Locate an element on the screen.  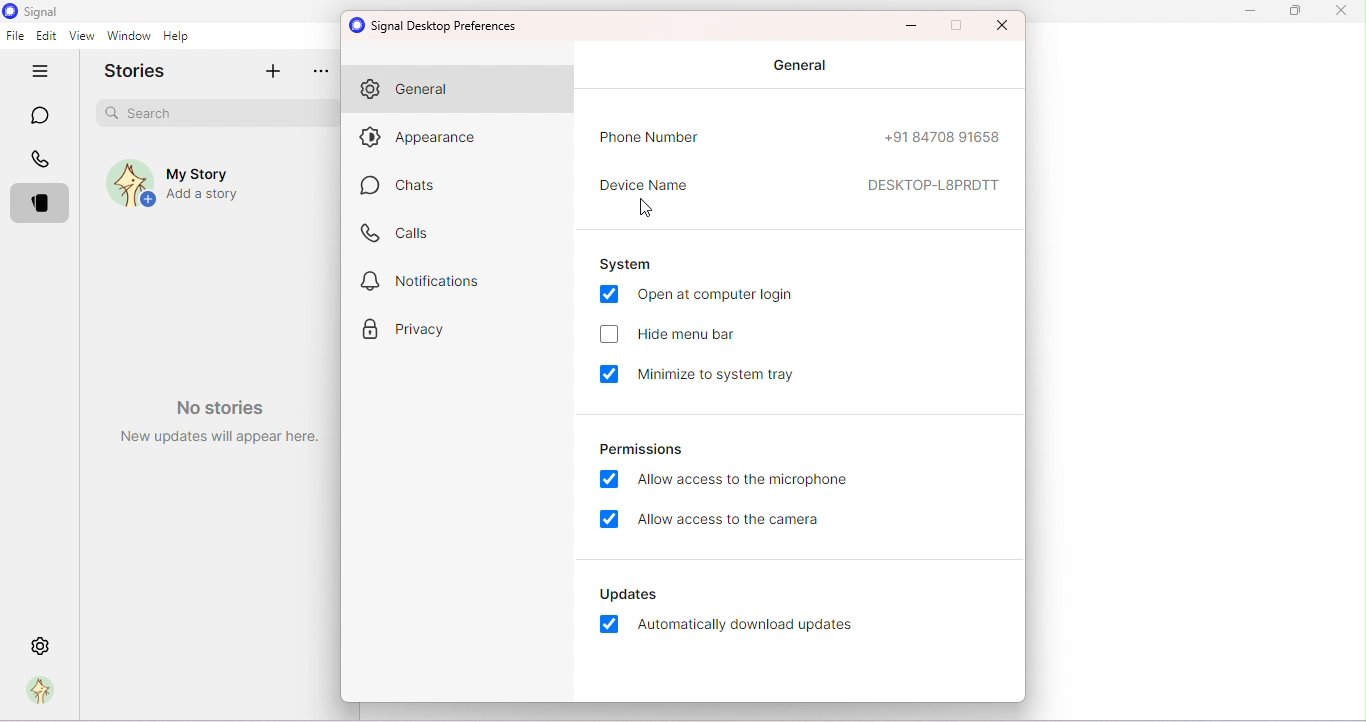
Appearance is located at coordinates (421, 137).